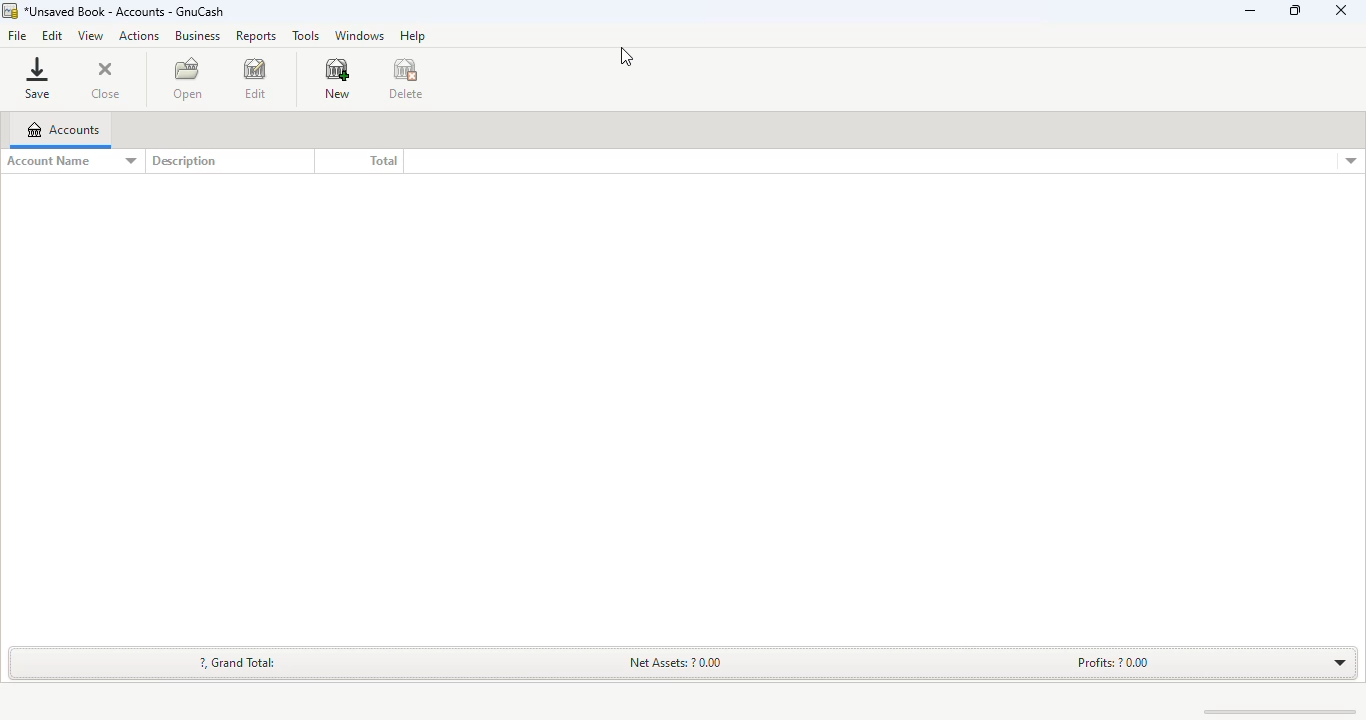  I want to click on help, so click(412, 35).